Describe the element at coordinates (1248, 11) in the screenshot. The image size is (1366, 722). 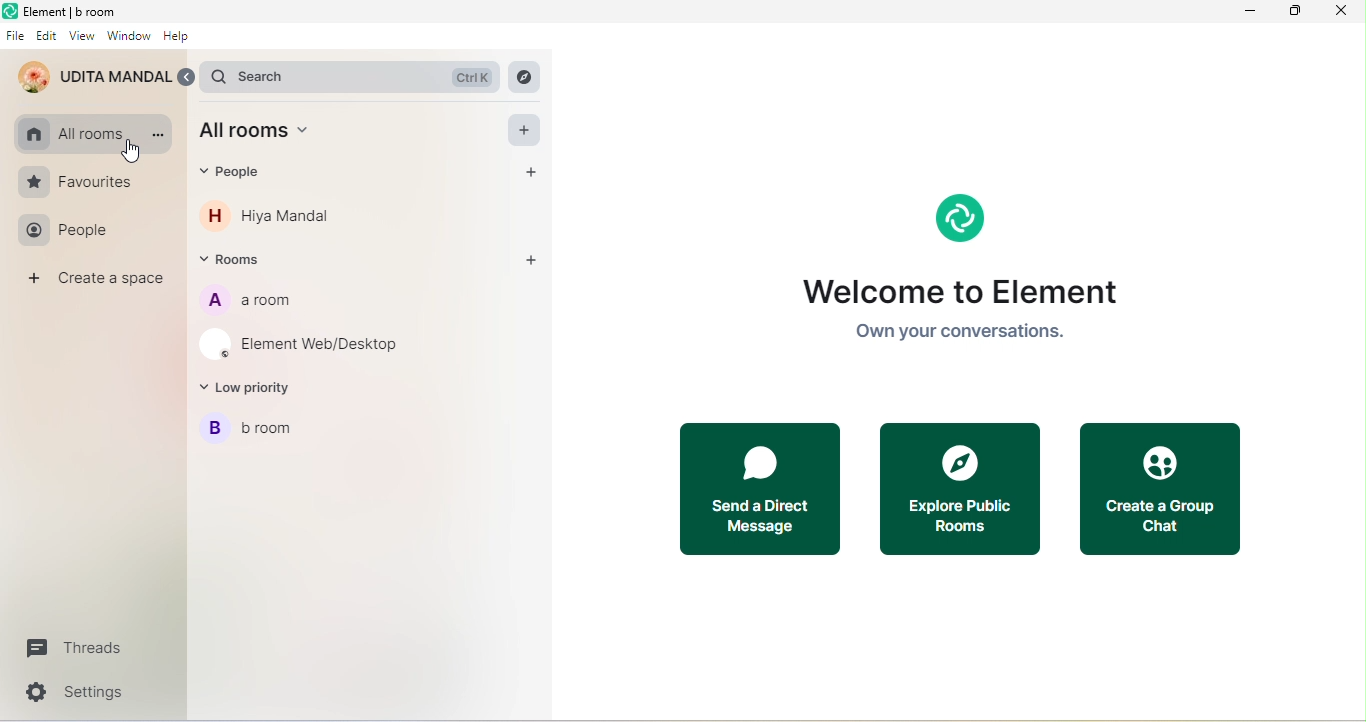
I see `minimize` at that location.